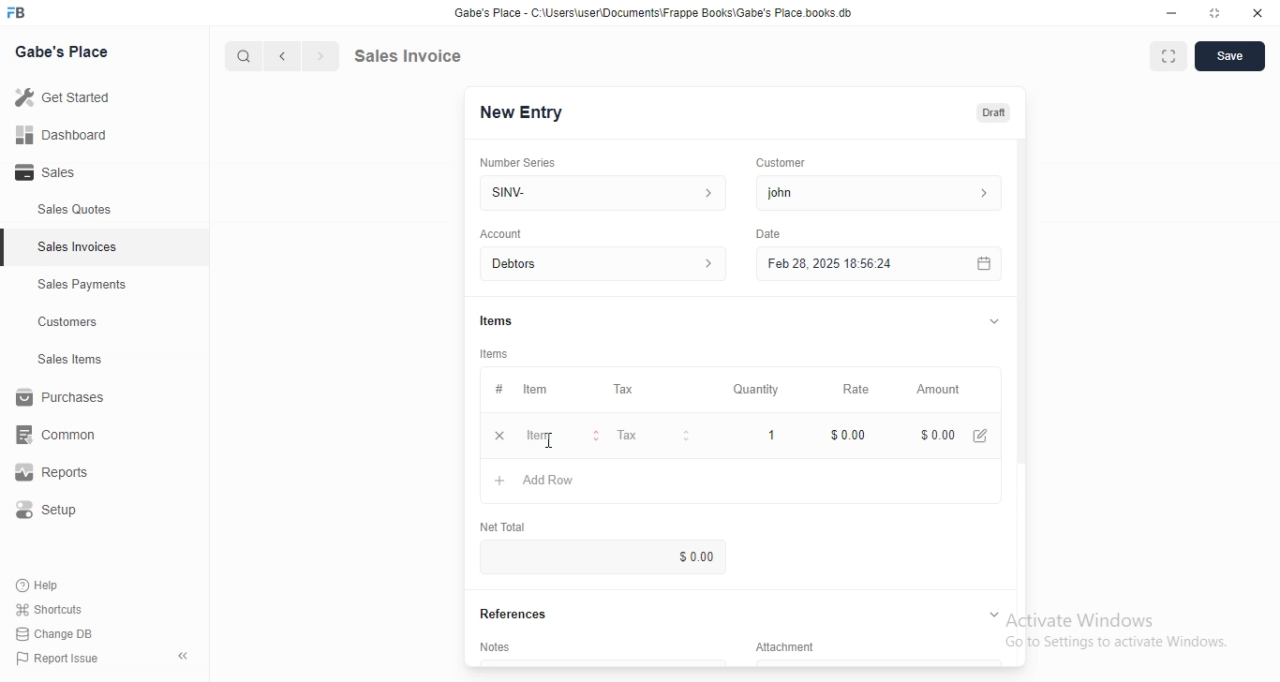 The height and width of the screenshot is (682, 1280). Describe the element at coordinates (419, 55) in the screenshot. I see `Sales Invoice` at that location.